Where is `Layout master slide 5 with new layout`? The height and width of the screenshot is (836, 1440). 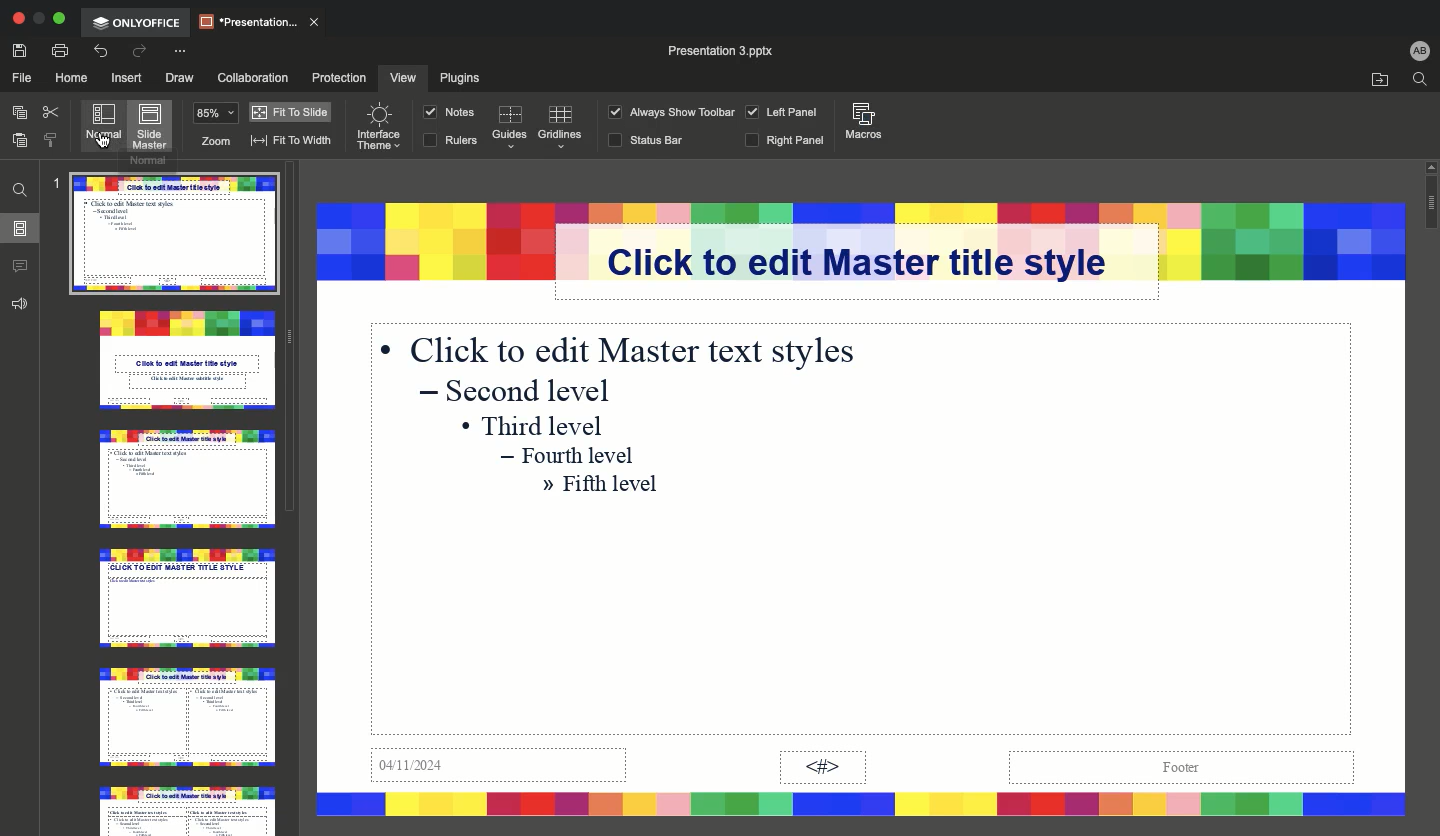
Layout master slide 5 with new layout is located at coordinates (182, 716).